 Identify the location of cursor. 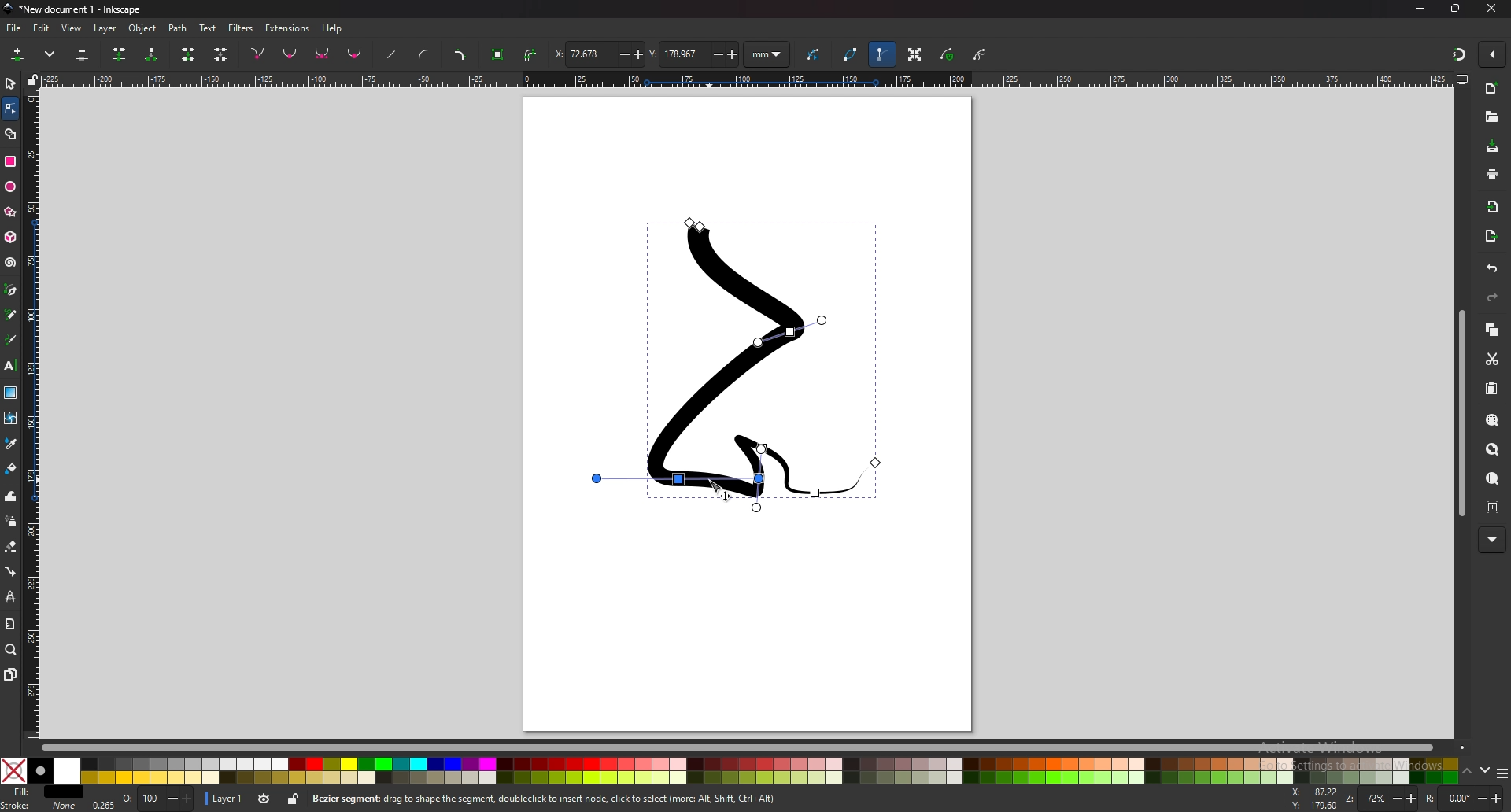
(717, 486).